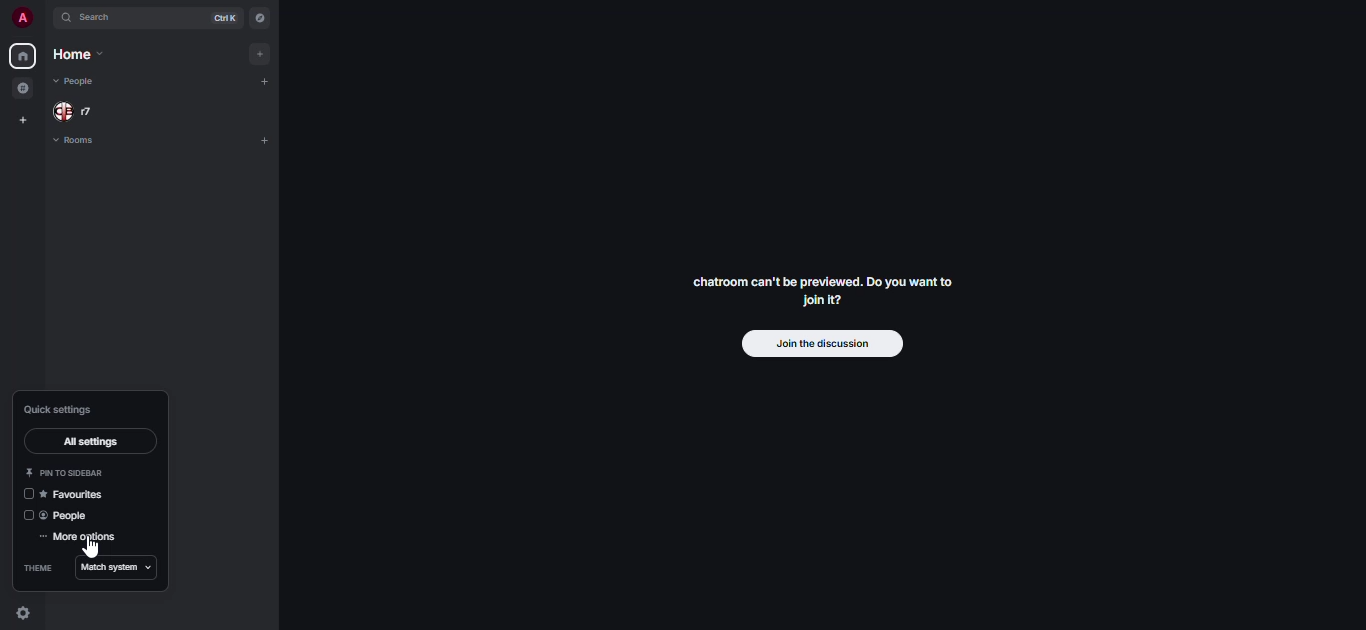 This screenshot has width=1366, height=630. What do you see at coordinates (79, 55) in the screenshot?
I see `home` at bounding box center [79, 55].